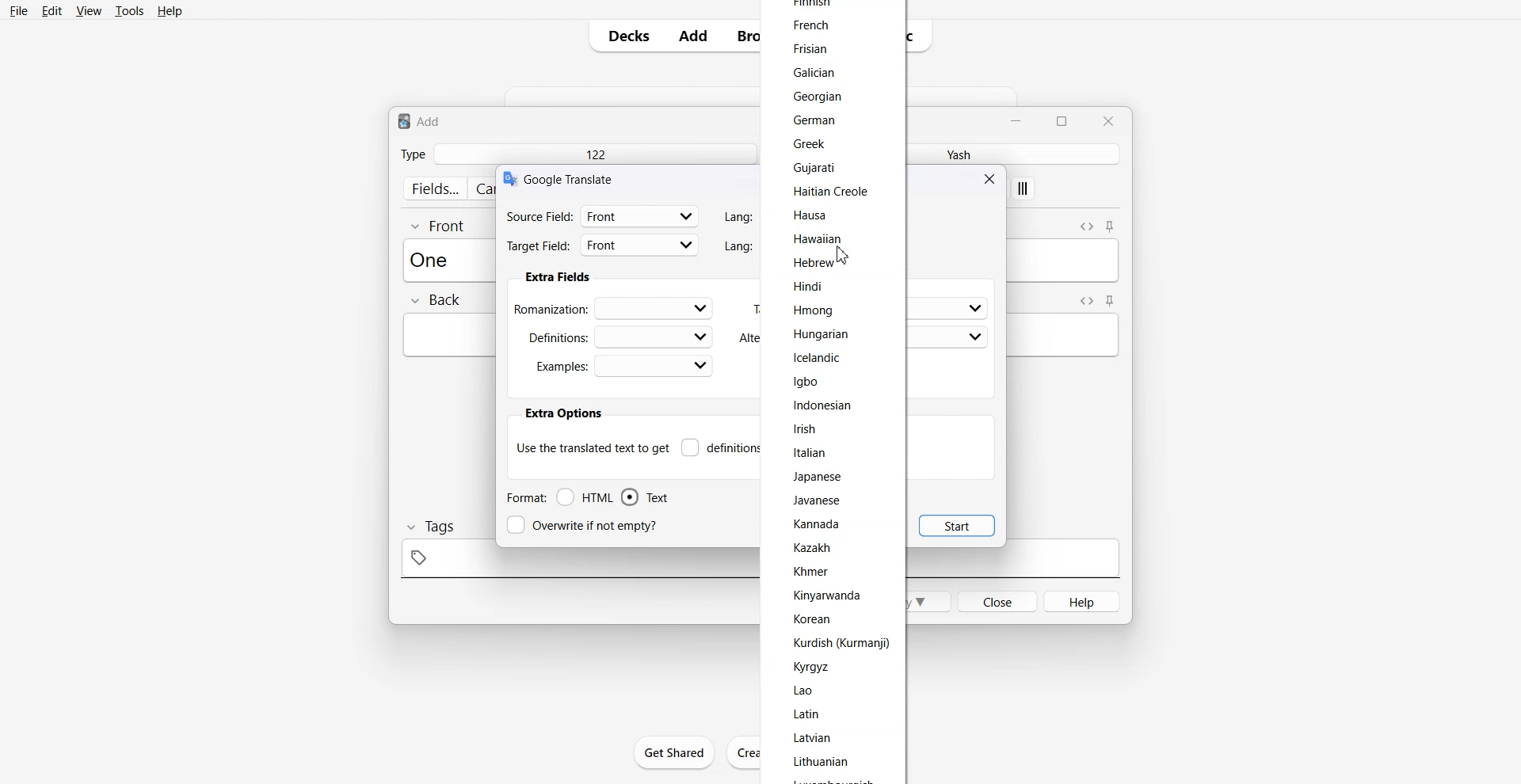 The height and width of the screenshot is (784, 1521). Describe the element at coordinates (434, 188) in the screenshot. I see `fields ` at that location.